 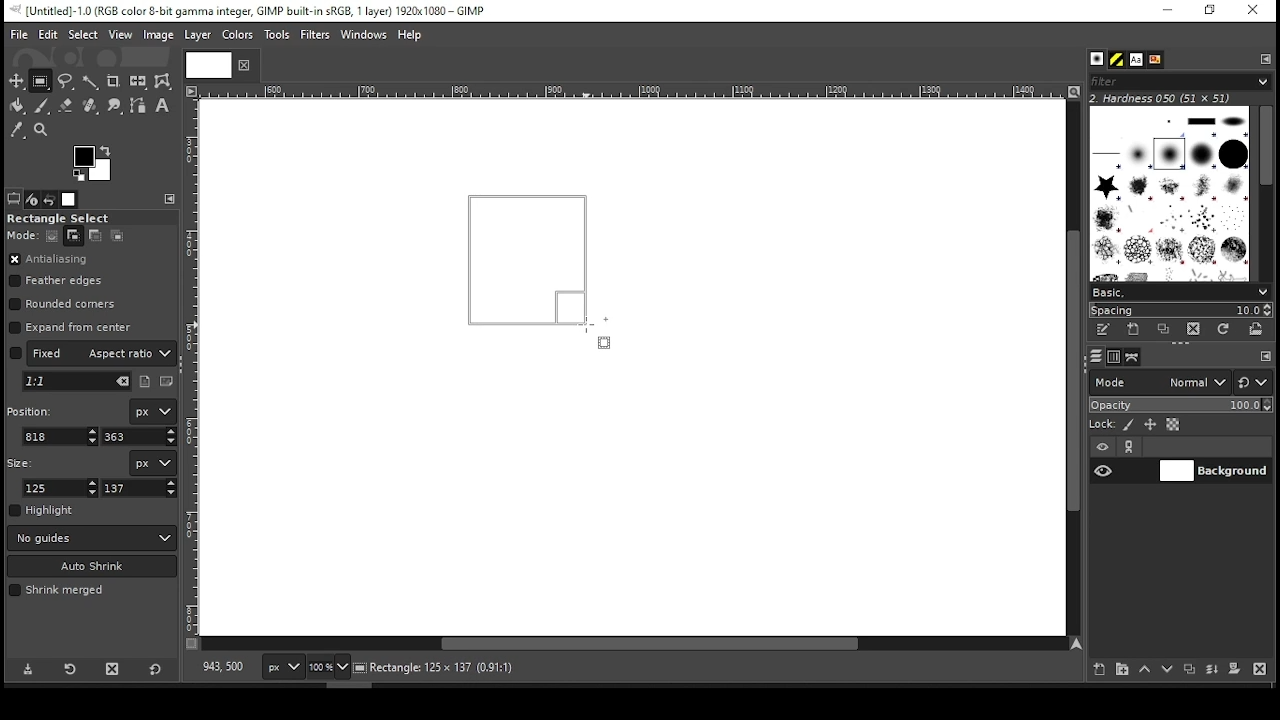 What do you see at coordinates (93, 163) in the screenshot?
I see `colors` at bounding box center [93, 163].